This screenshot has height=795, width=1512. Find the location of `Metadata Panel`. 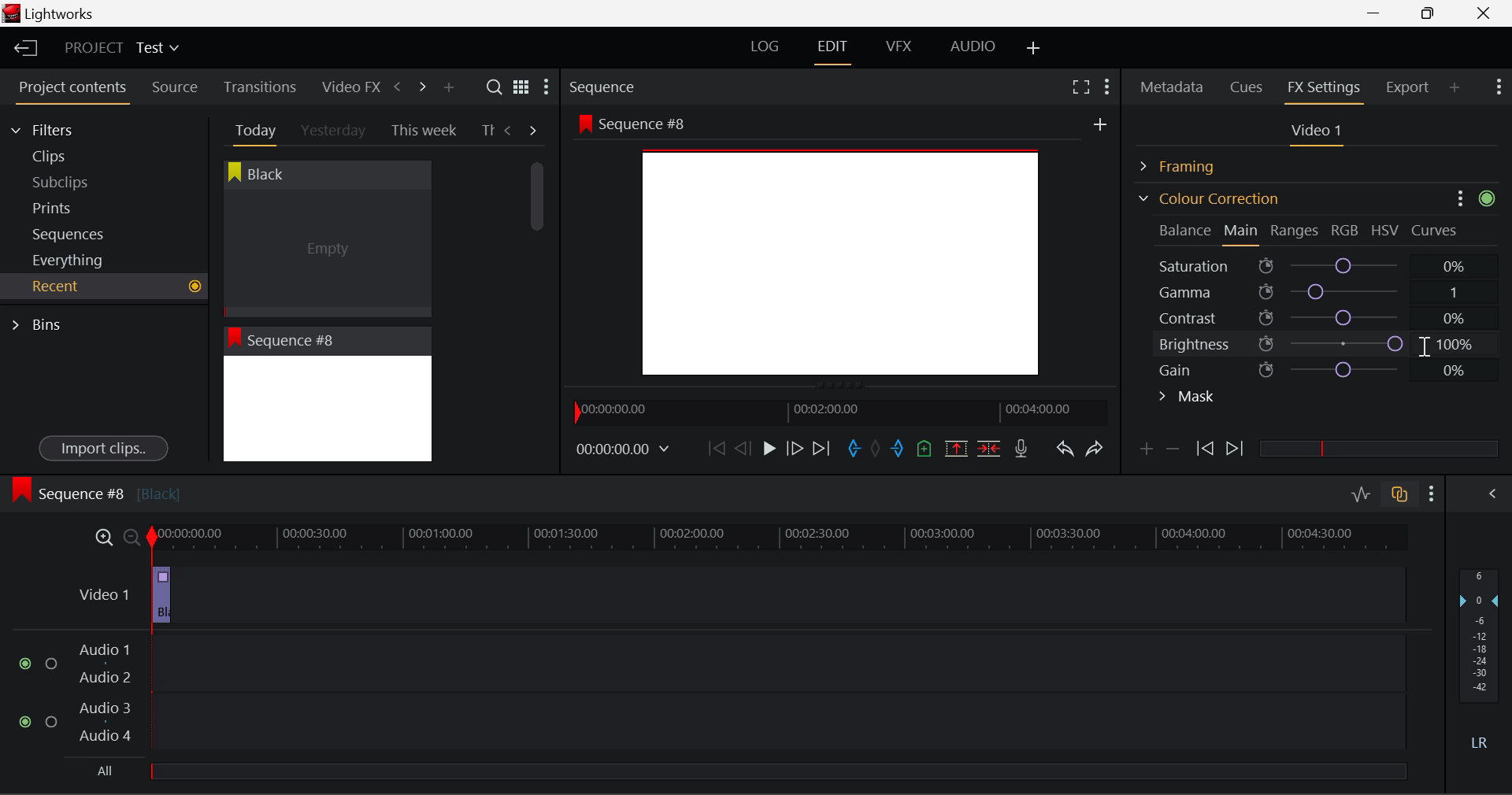

Metadata Panel is located at coordinates (1173, 84).